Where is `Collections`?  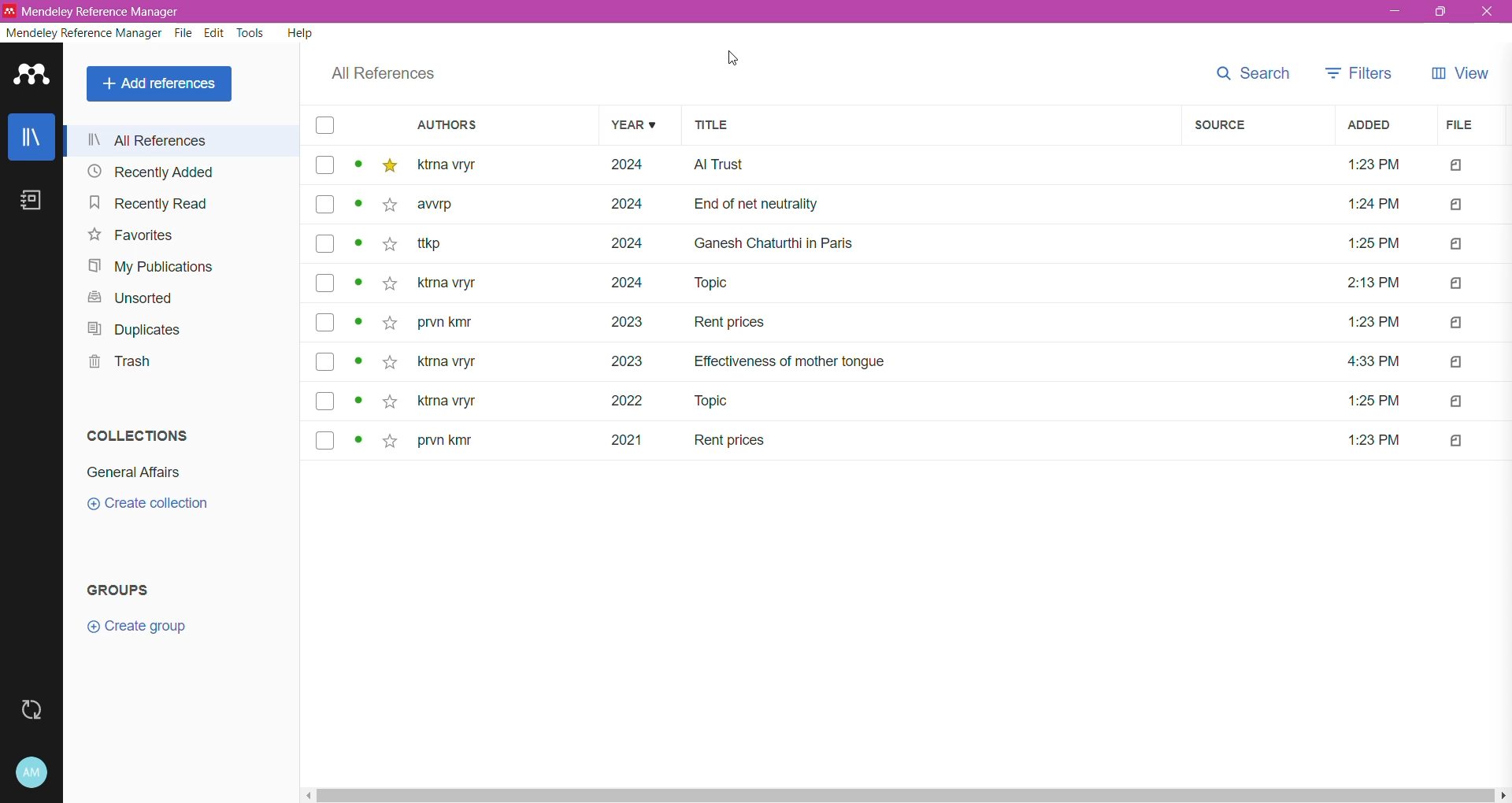
Collections is located at coordinates (135, 435).